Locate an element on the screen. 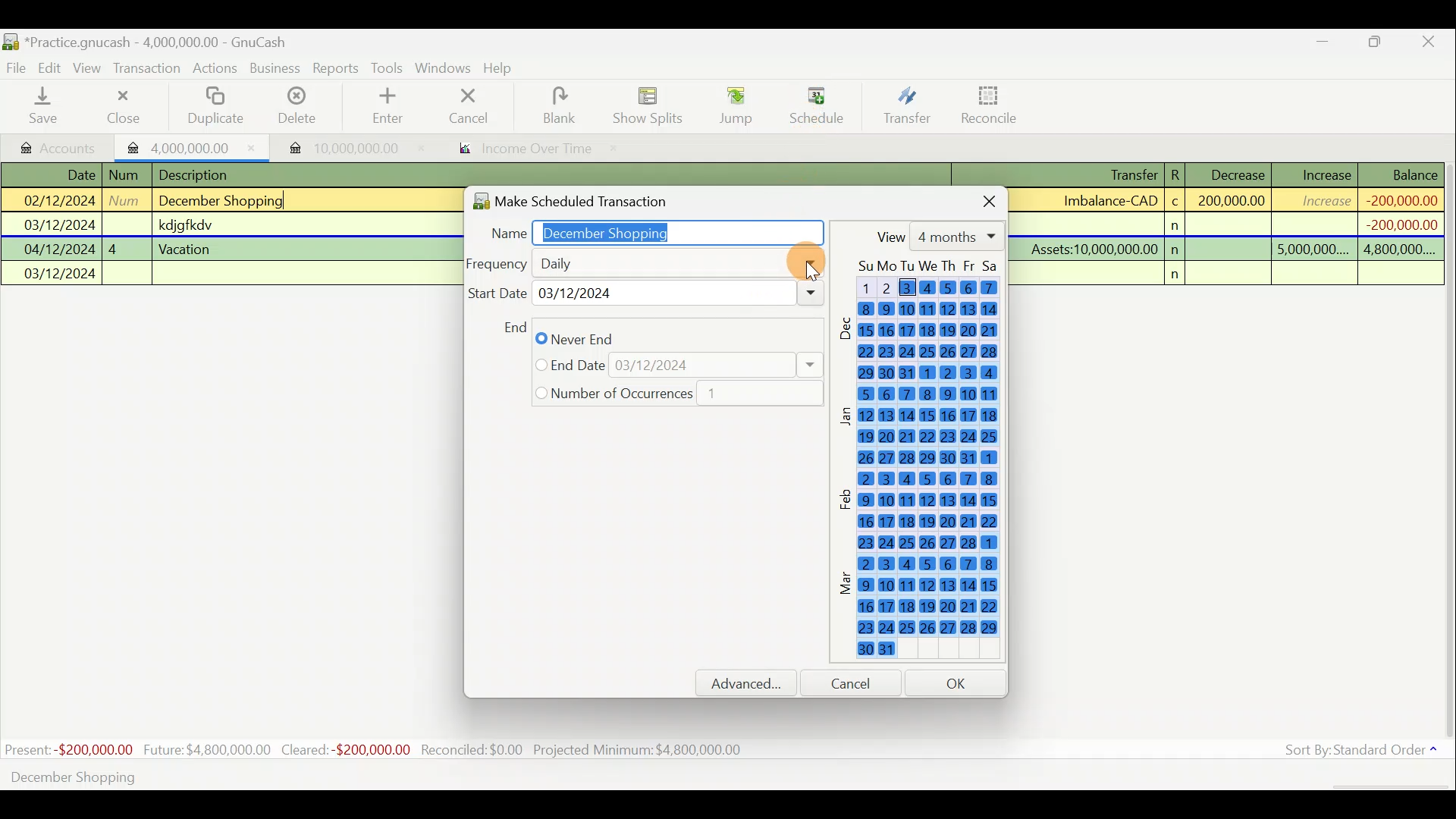  Make scheduled transaction is located at coordinates (595, 198).